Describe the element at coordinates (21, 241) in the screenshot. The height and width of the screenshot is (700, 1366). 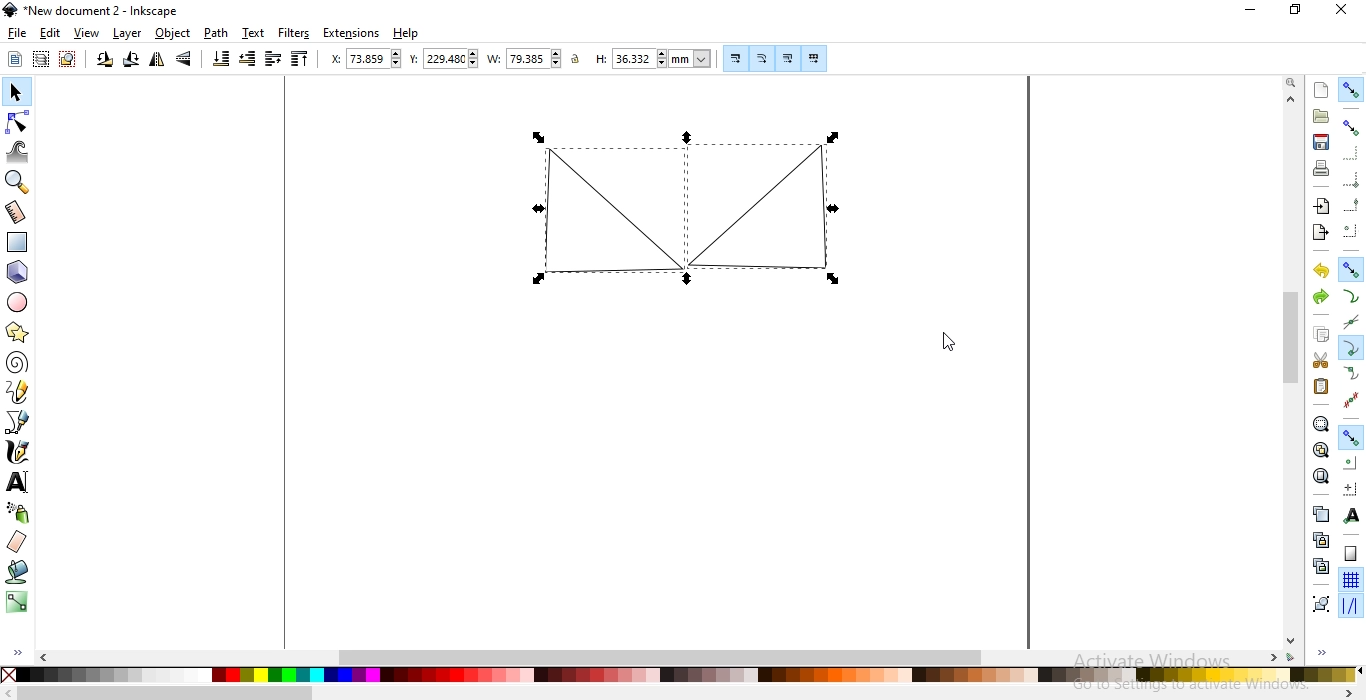
I see `create rectangle and squares` at that location.